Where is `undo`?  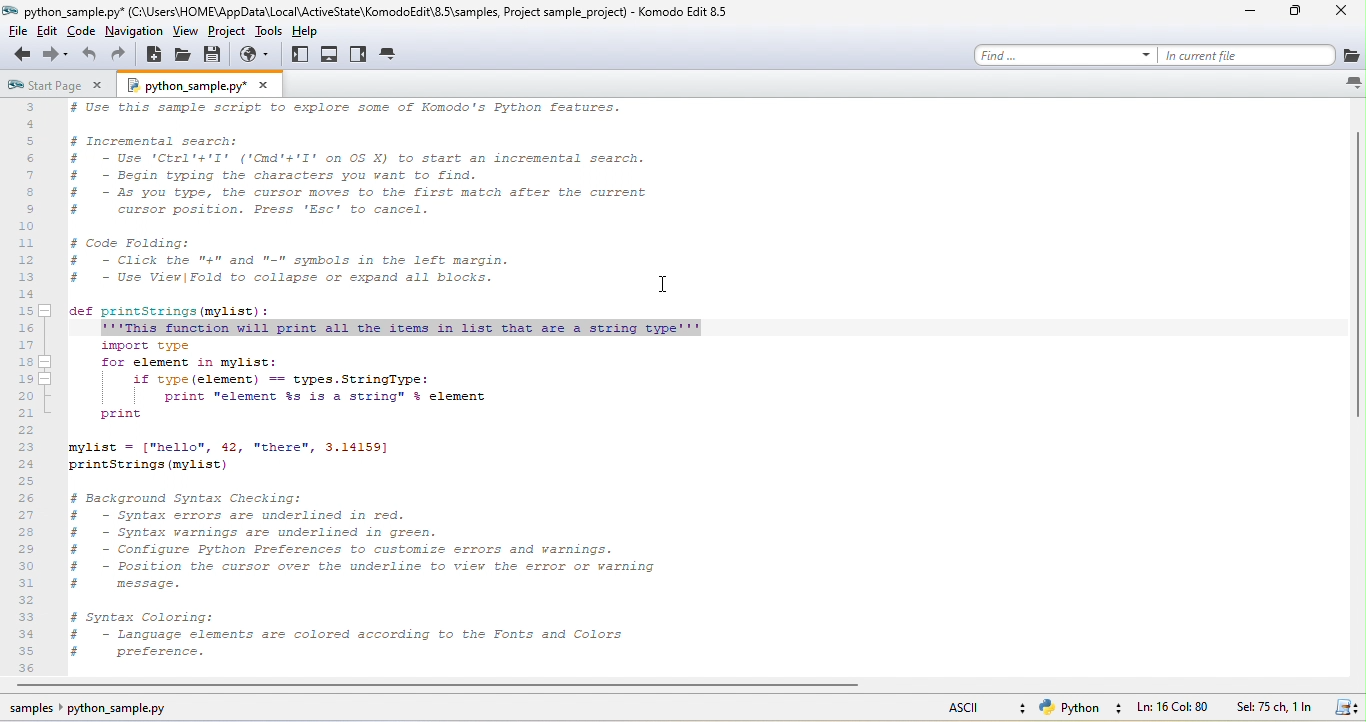 undo is located at coordinates (88, 56).